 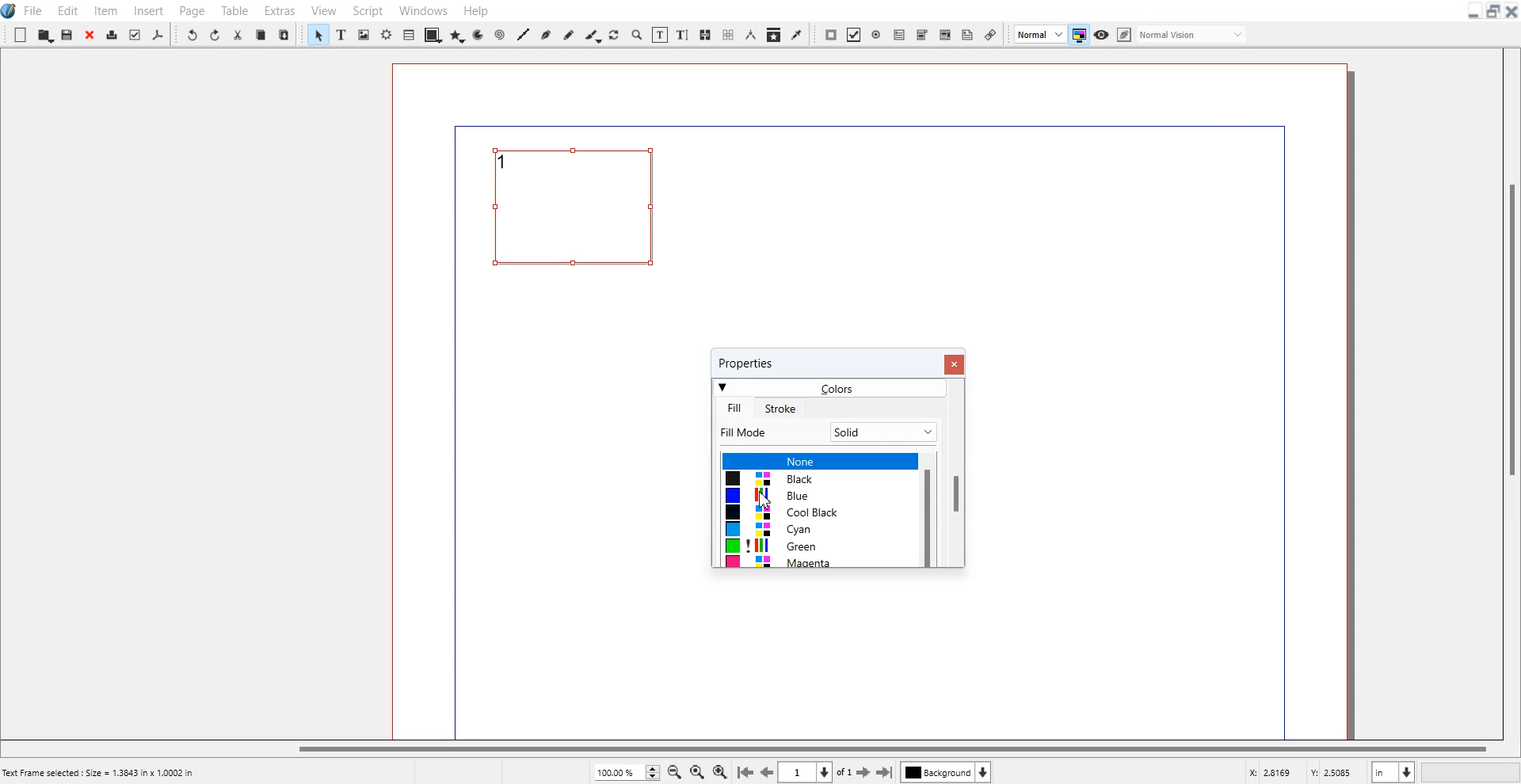 What do you see at coordinates (780, 409) in the screenshot?
I see `Stroke` at bounding box center [780, 409].